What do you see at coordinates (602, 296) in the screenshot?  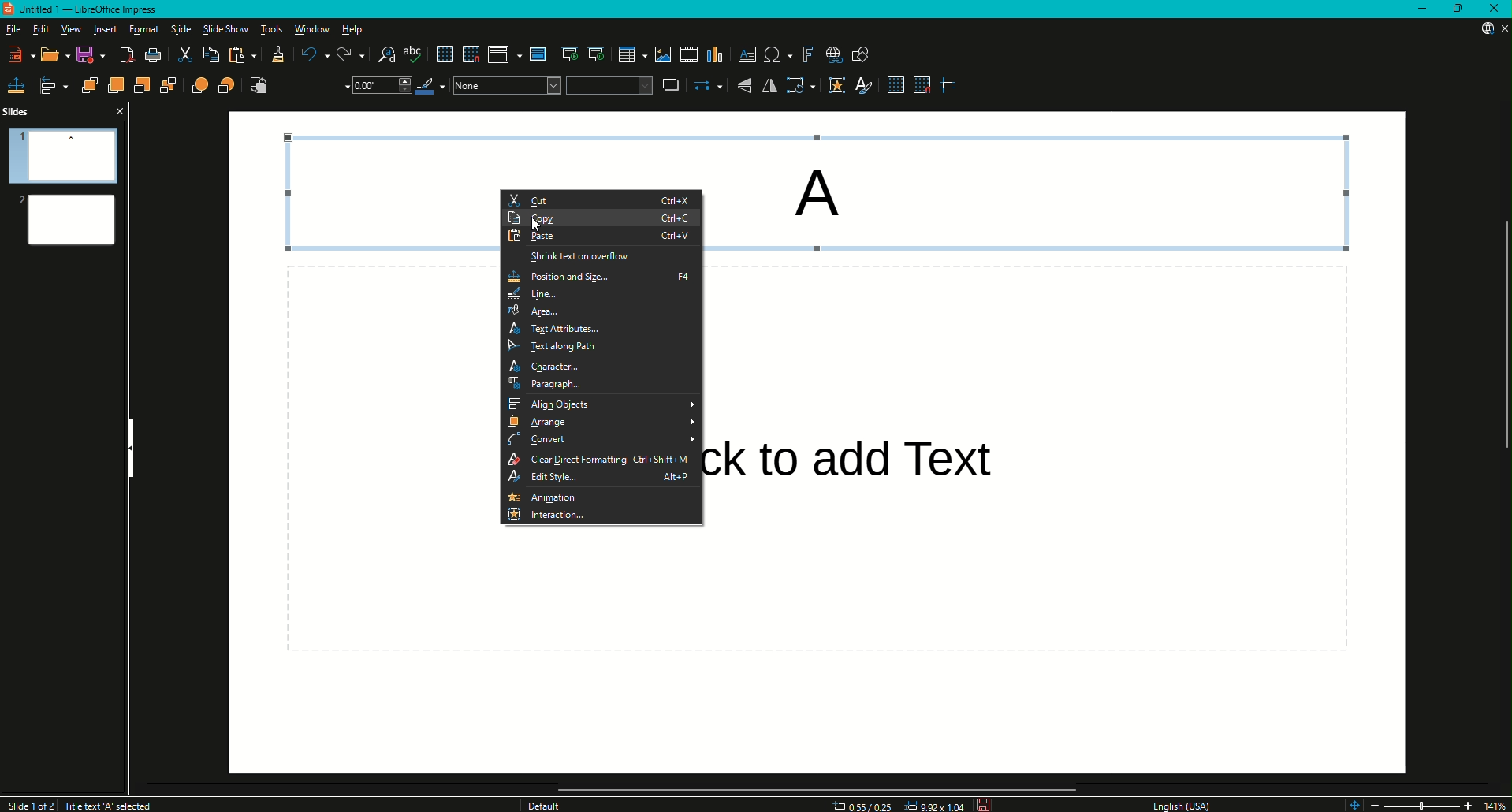 I see `Line` at bounding box center [602, 296].